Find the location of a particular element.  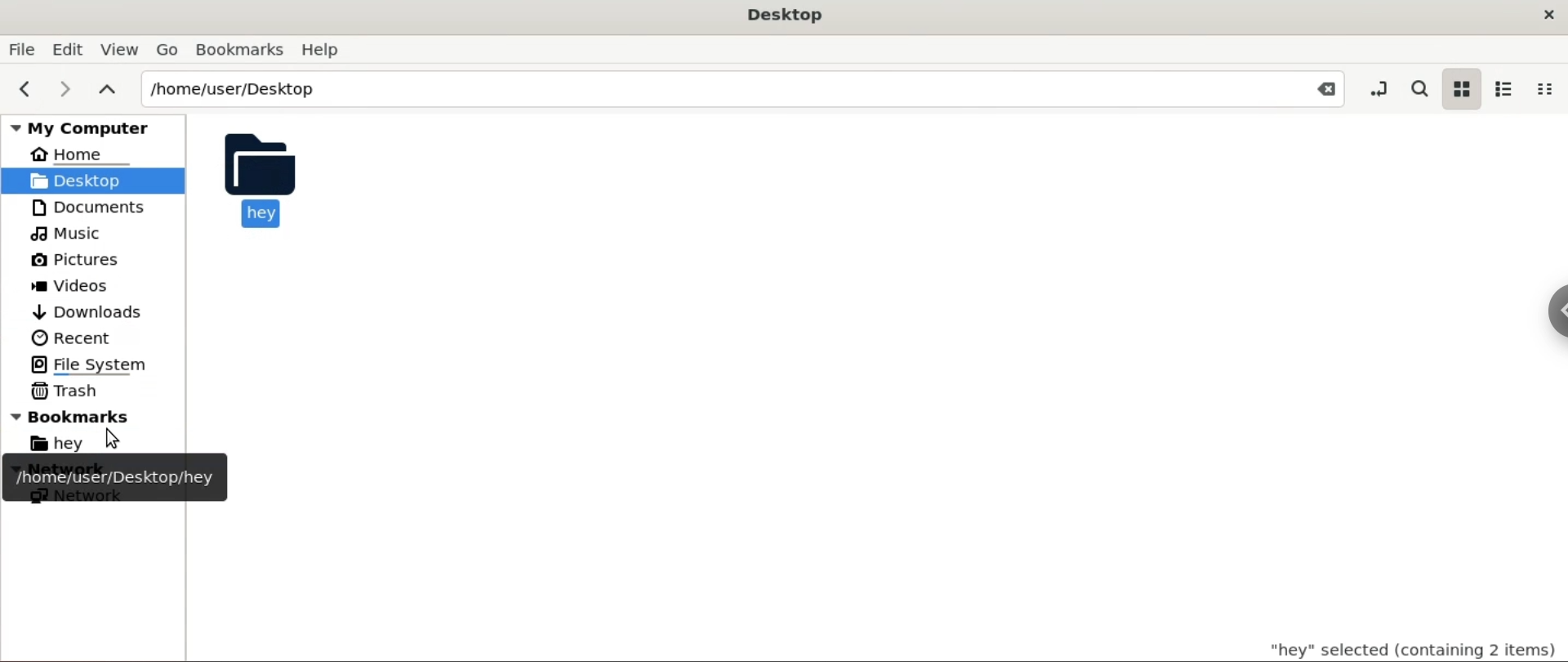

next is located at coordinates (67, 87).